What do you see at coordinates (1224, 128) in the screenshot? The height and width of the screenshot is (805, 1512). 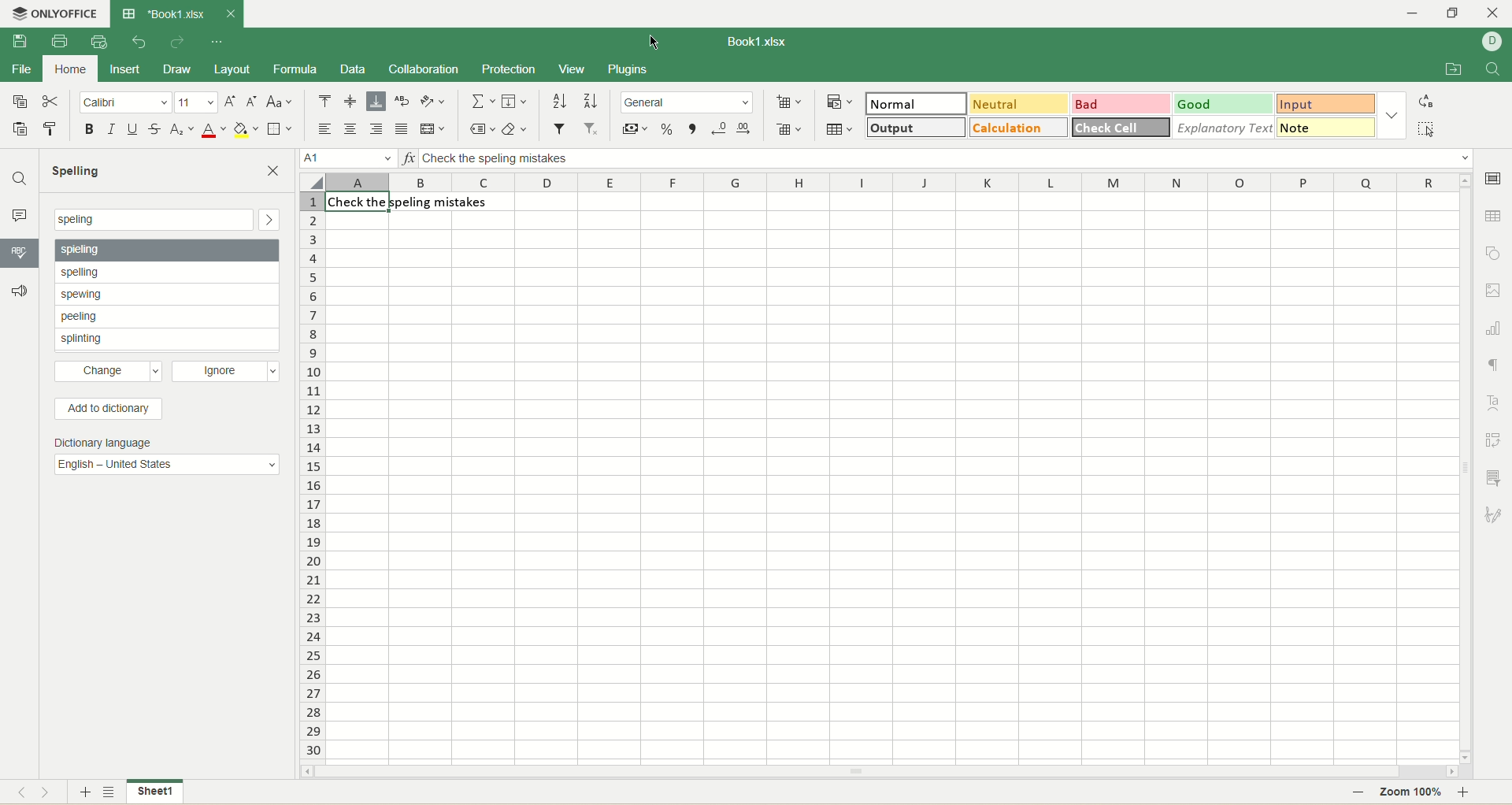 I see `explanatory text` at bounding box center [1224, 128].